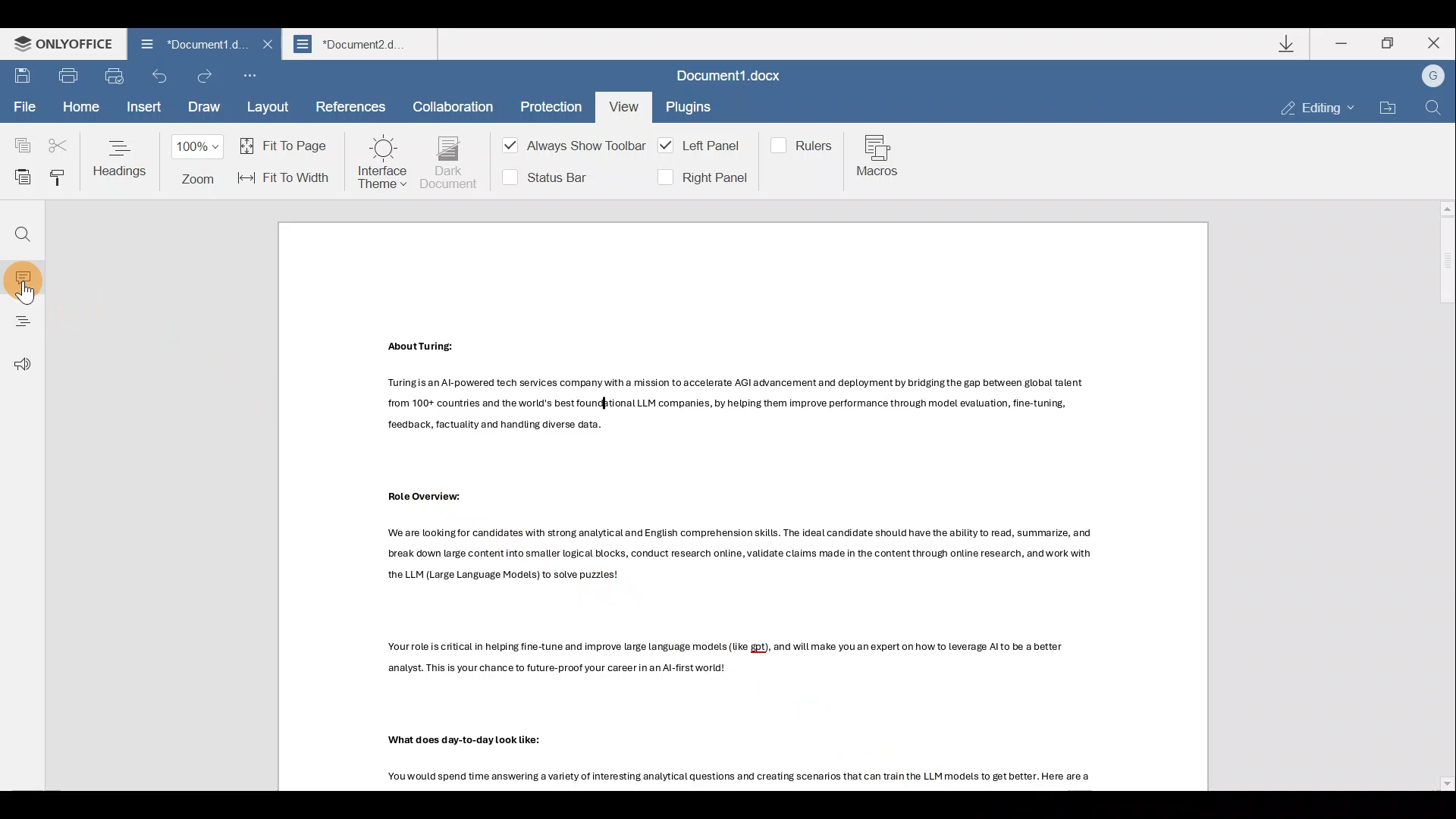 This screenshot has width=1456, height=819. What do you see at coordinates (287, 145) in the screenshot?
I see `Fit to page` at bounding box center [287, 145].